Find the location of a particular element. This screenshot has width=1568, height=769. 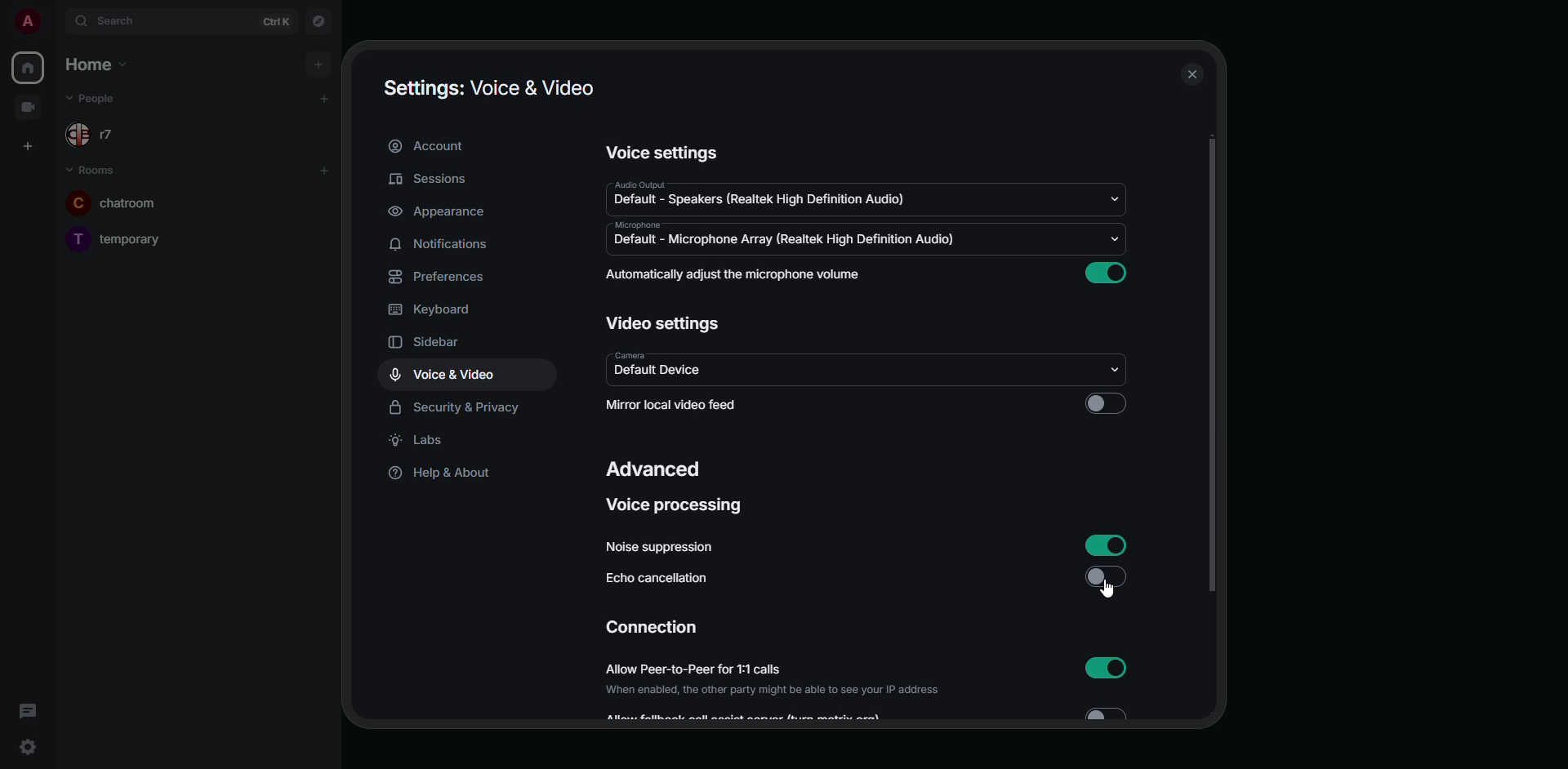

default is located at coordinates (781, 238).